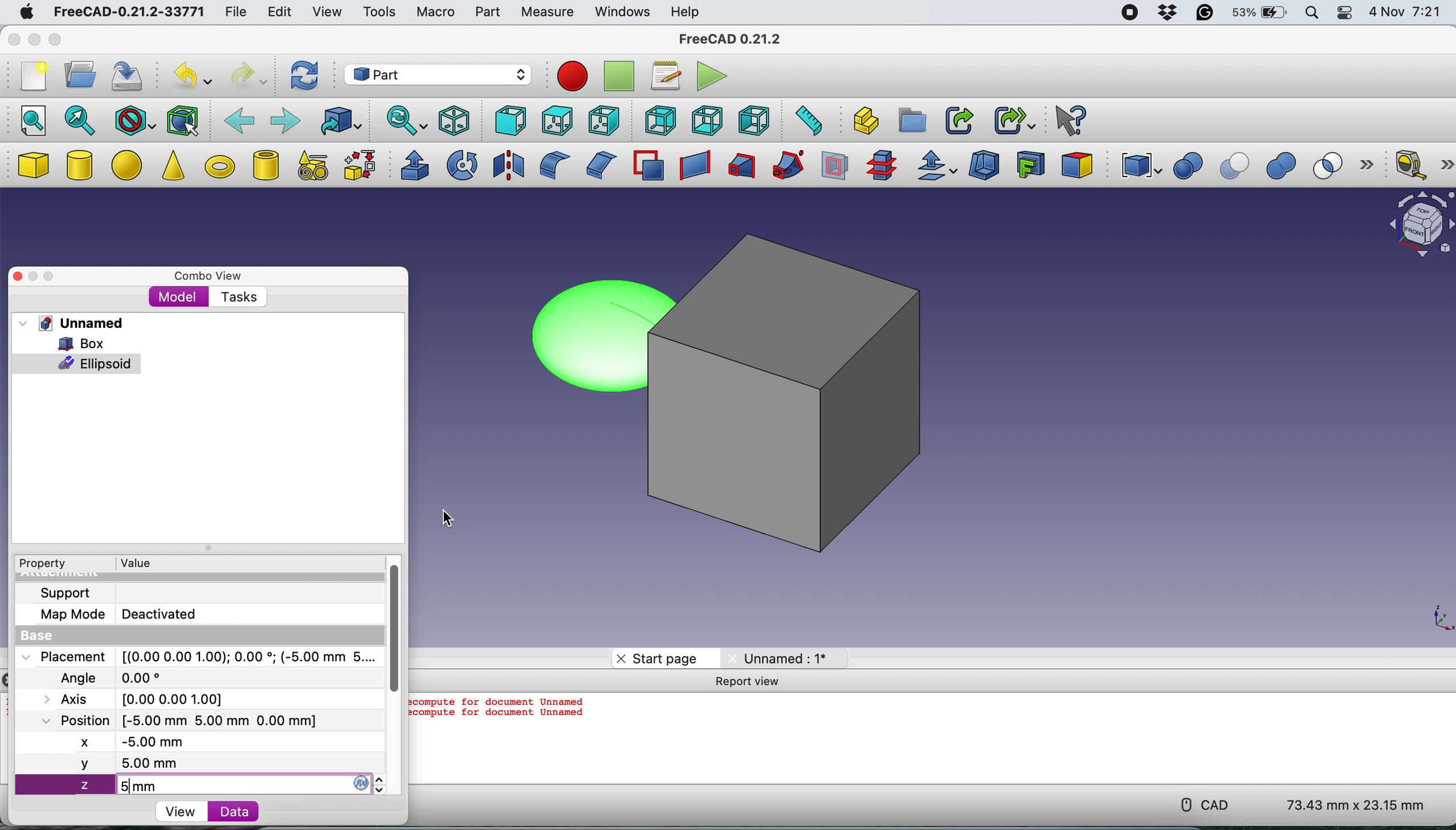 The width and height of the screenshot is (1456, 830). Describe the element at coordinates (1431, 616) in the screenshot. I see `xy coordinate` at that location.